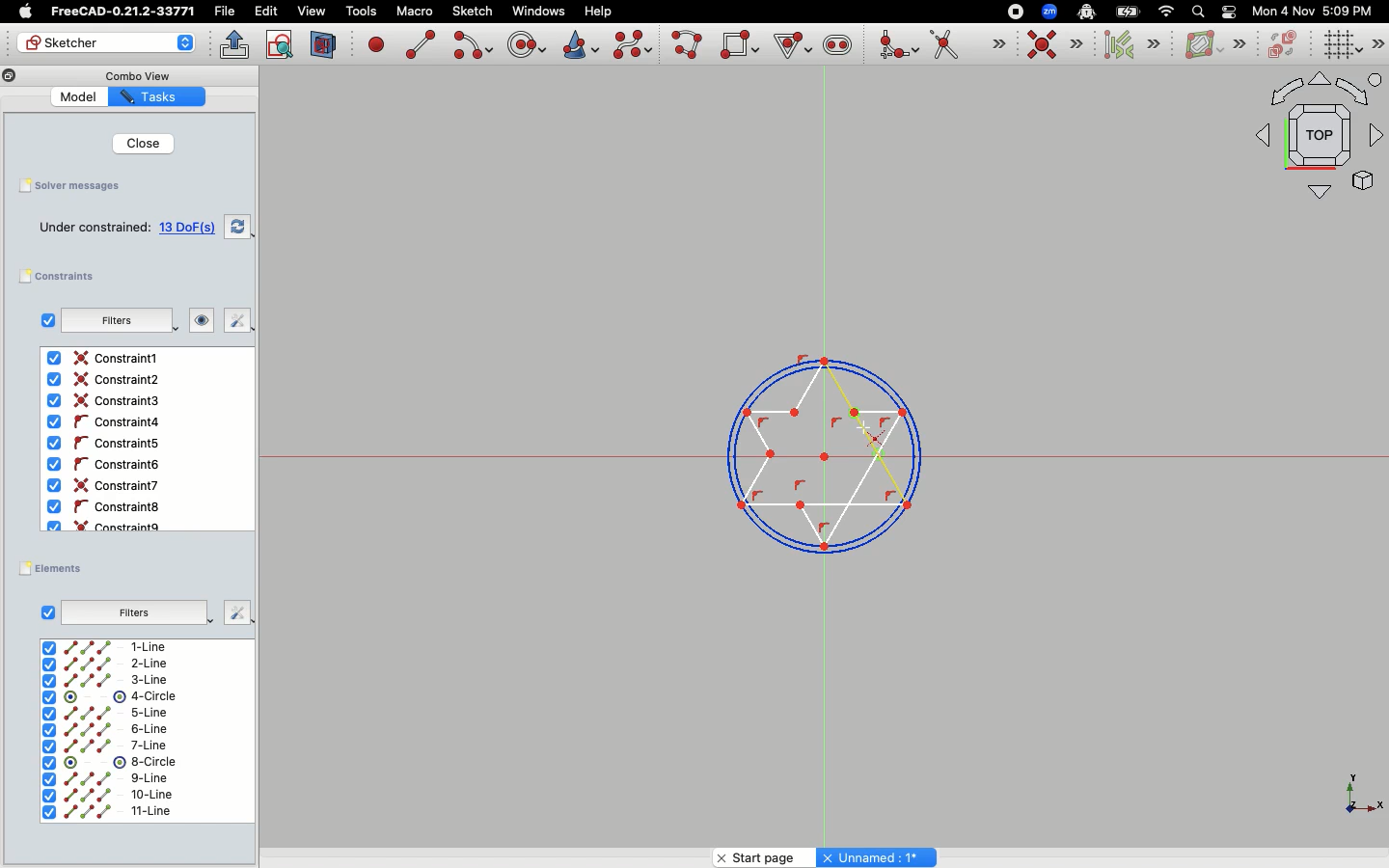 This screenshot has height=868, width=1389. I want to click on Constraint2, so click(108, 380).